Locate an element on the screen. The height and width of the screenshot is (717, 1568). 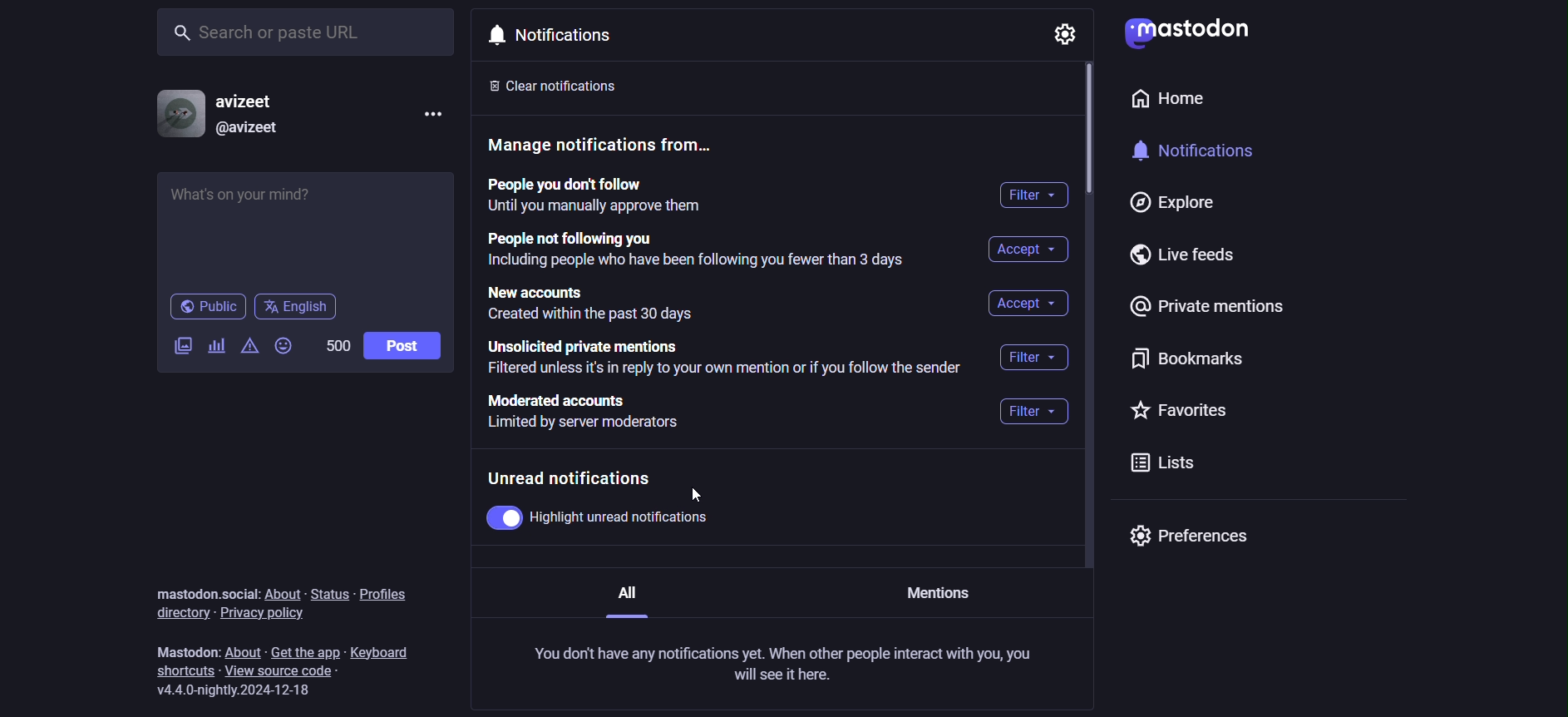
shortcuts is located at coordinates (182, 671).